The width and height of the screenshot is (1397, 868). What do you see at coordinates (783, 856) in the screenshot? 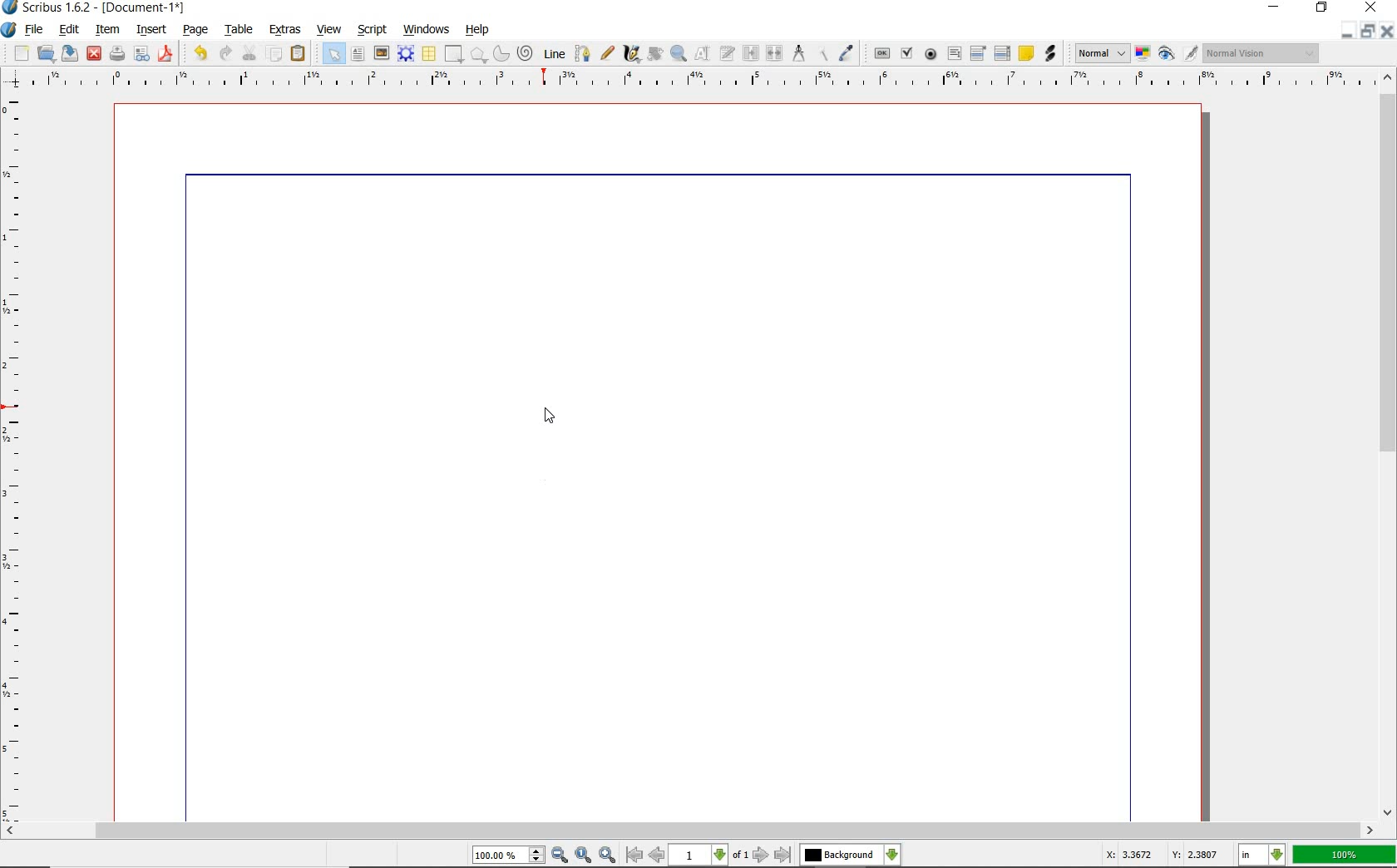
I see `Last Page` at bounding box center [783, 856].